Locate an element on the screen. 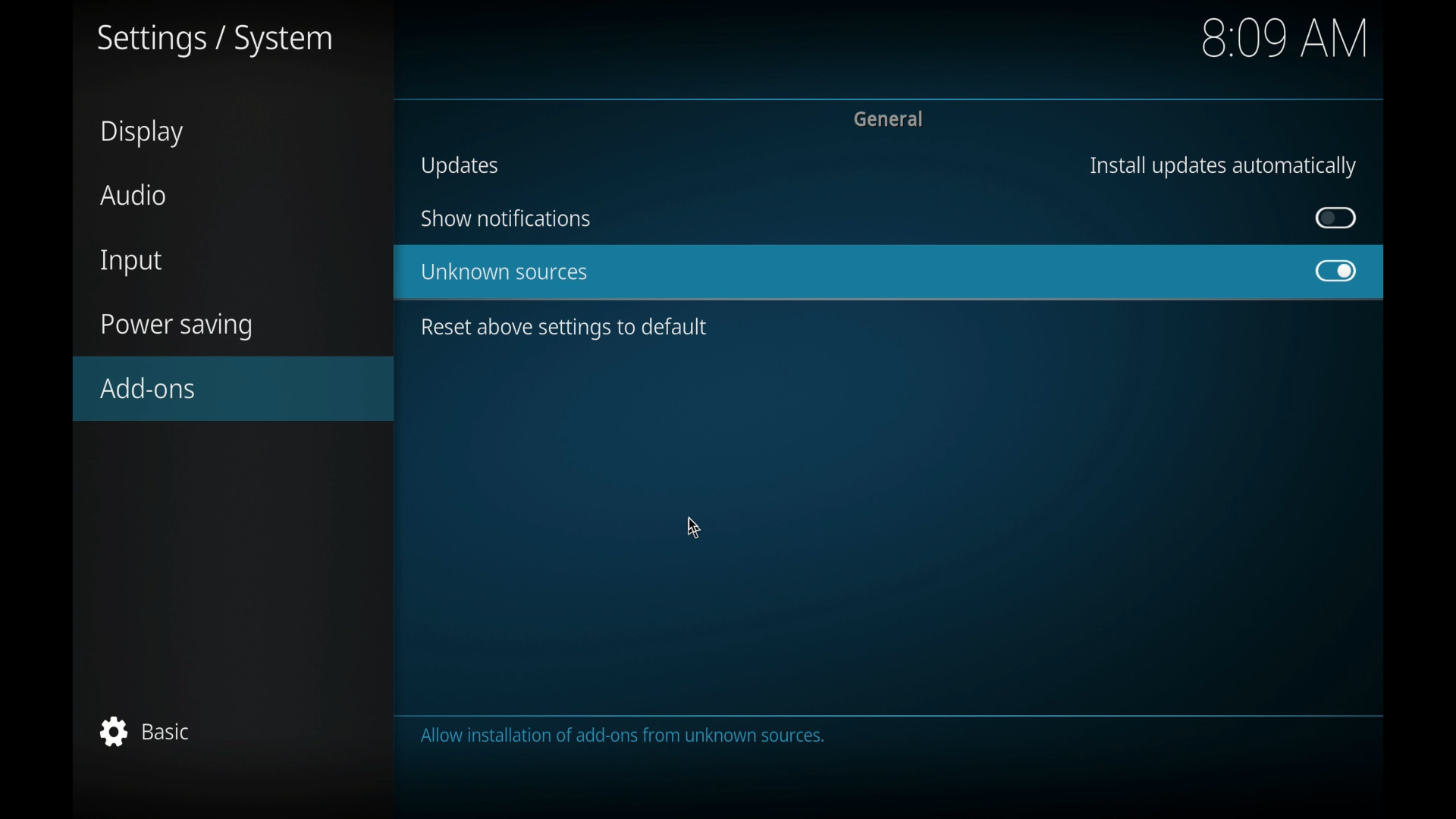  audio is located at coordinates (135, 194).